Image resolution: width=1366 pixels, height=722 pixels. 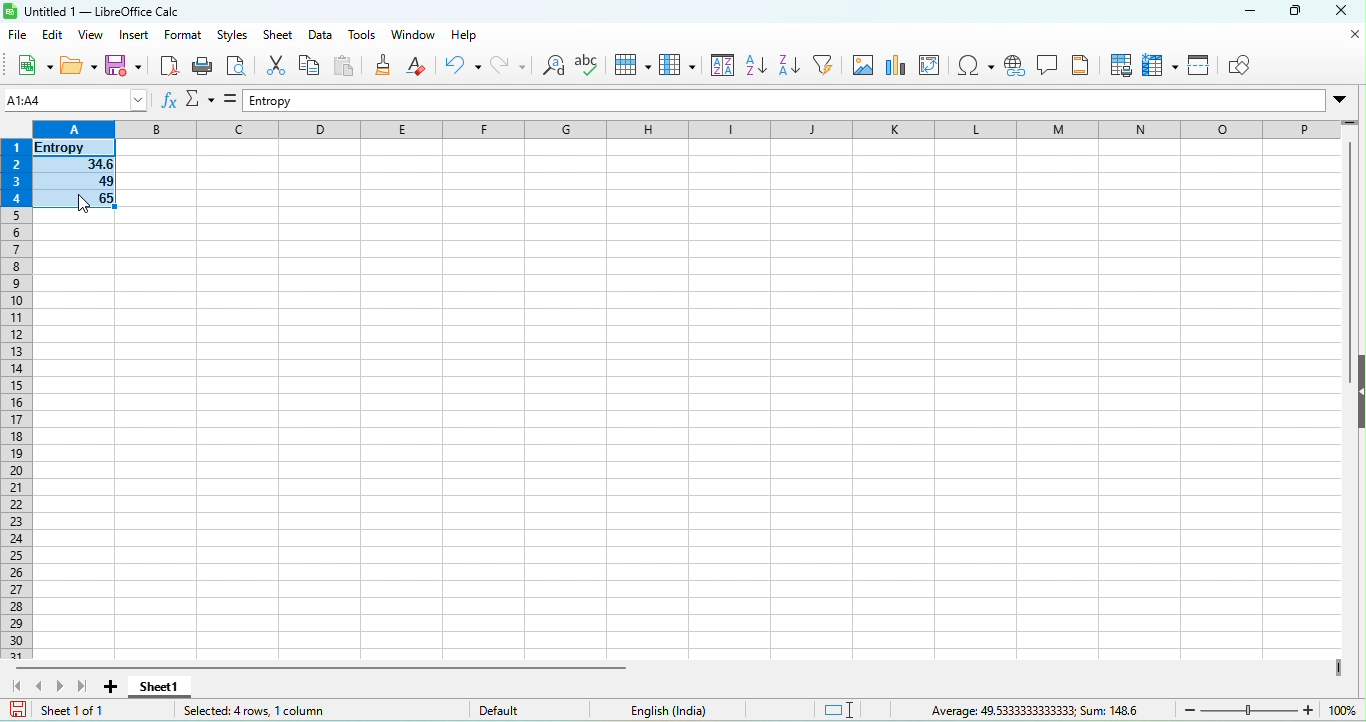 I want to click on scroll to first sheet, so click(x=15, y=683).